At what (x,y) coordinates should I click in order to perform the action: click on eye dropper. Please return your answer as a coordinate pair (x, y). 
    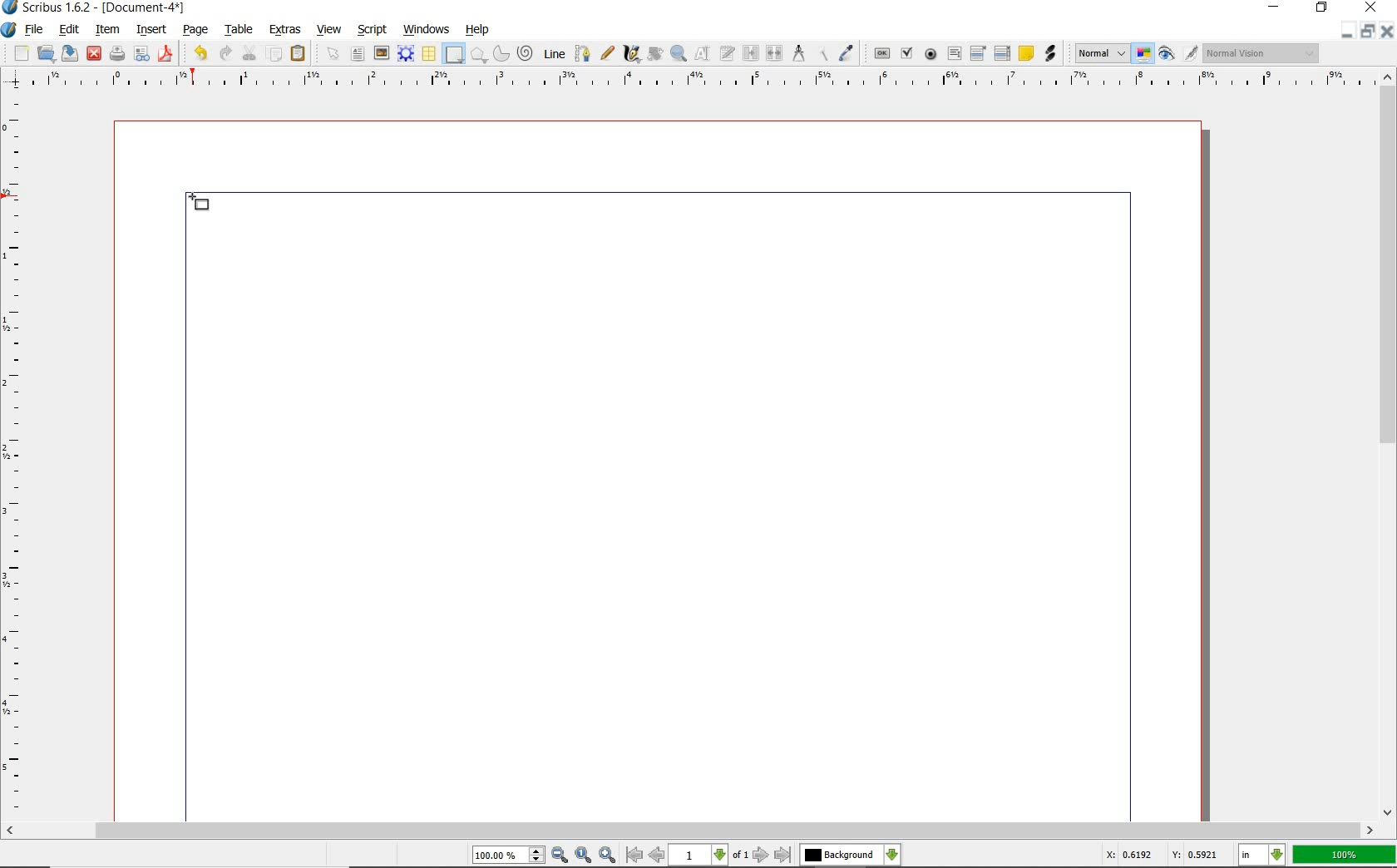
    Looking at the image, I should click on (847, 51).